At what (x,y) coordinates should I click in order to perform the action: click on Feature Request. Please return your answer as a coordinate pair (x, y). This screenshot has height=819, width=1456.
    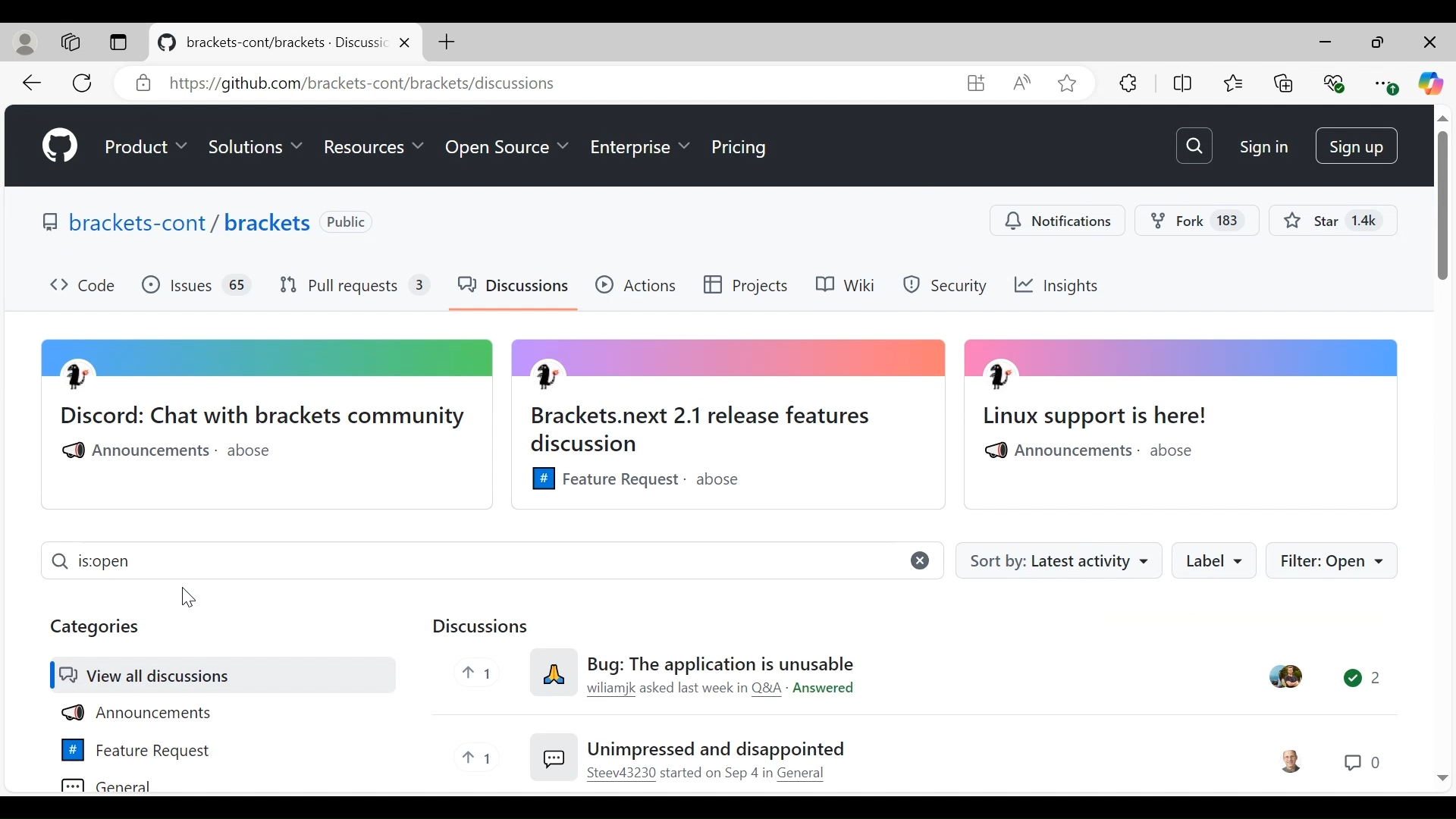
    Looking at the image, I should click on (218, 749).